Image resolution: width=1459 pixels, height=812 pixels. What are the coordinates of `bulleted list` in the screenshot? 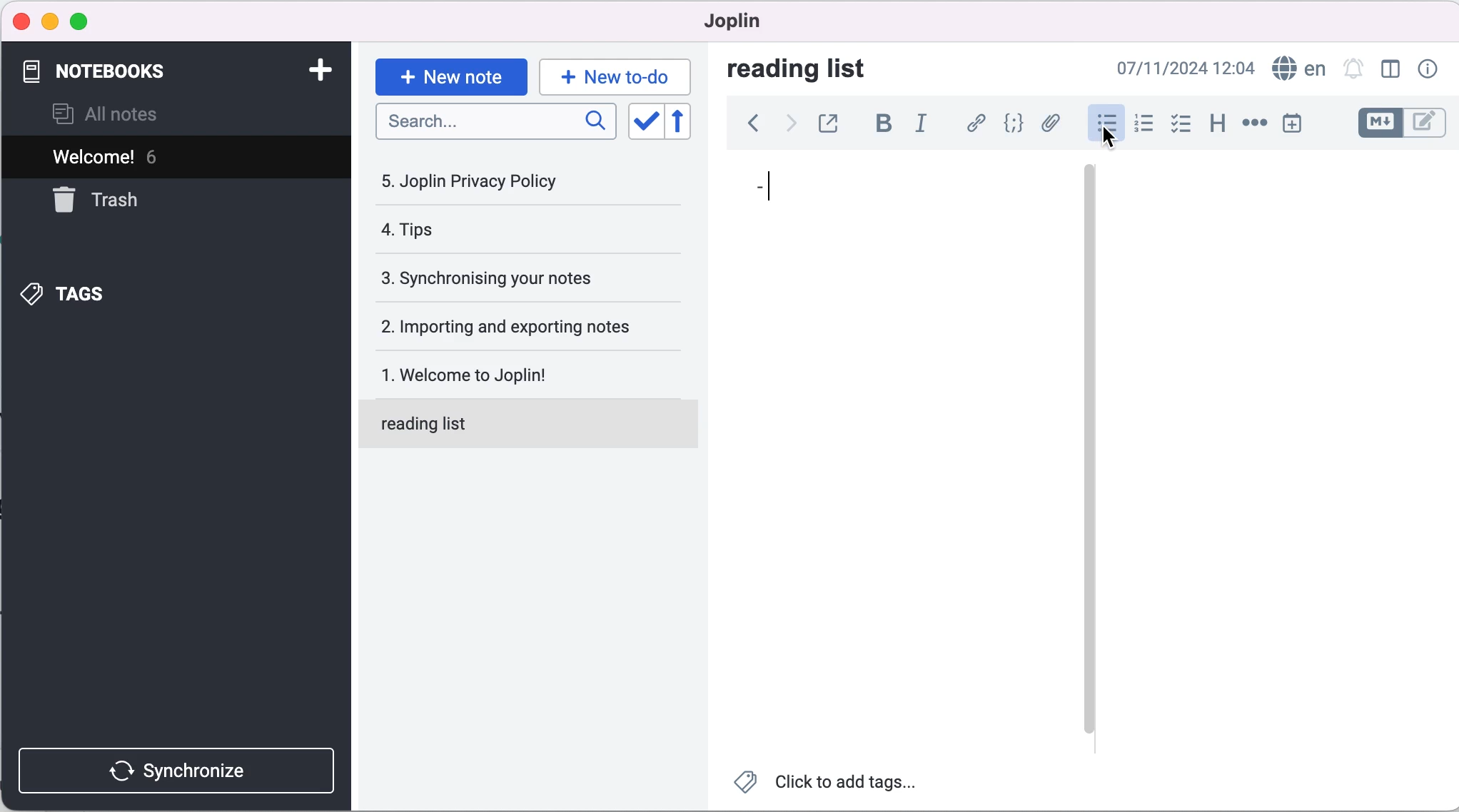 It's located at (1100, 126).